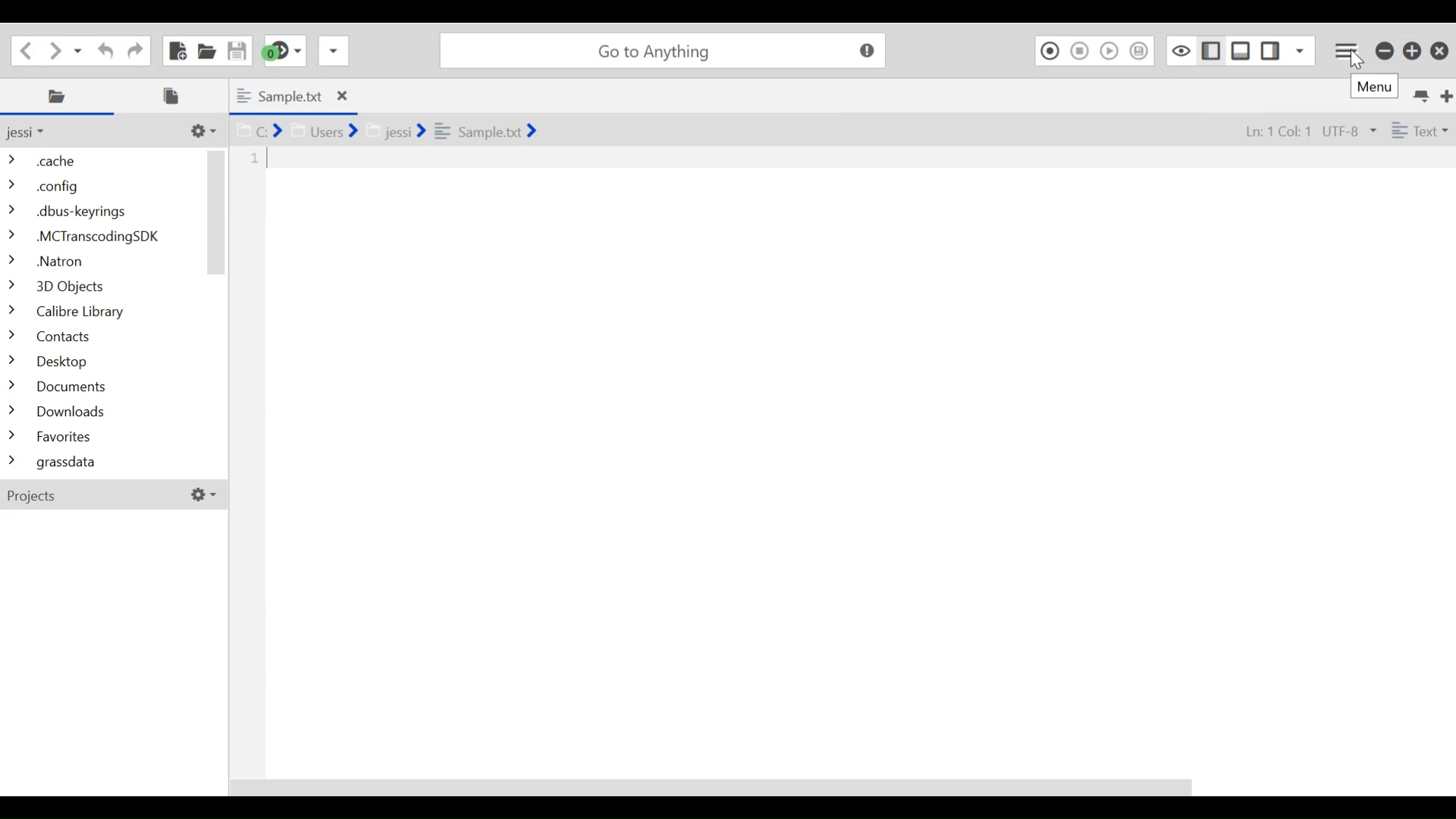 This screenshot has height=819, width=1456. What do you see at coordinates (102, 49) in the screenshot?
I see `undo` at bounding box center [102, 49].